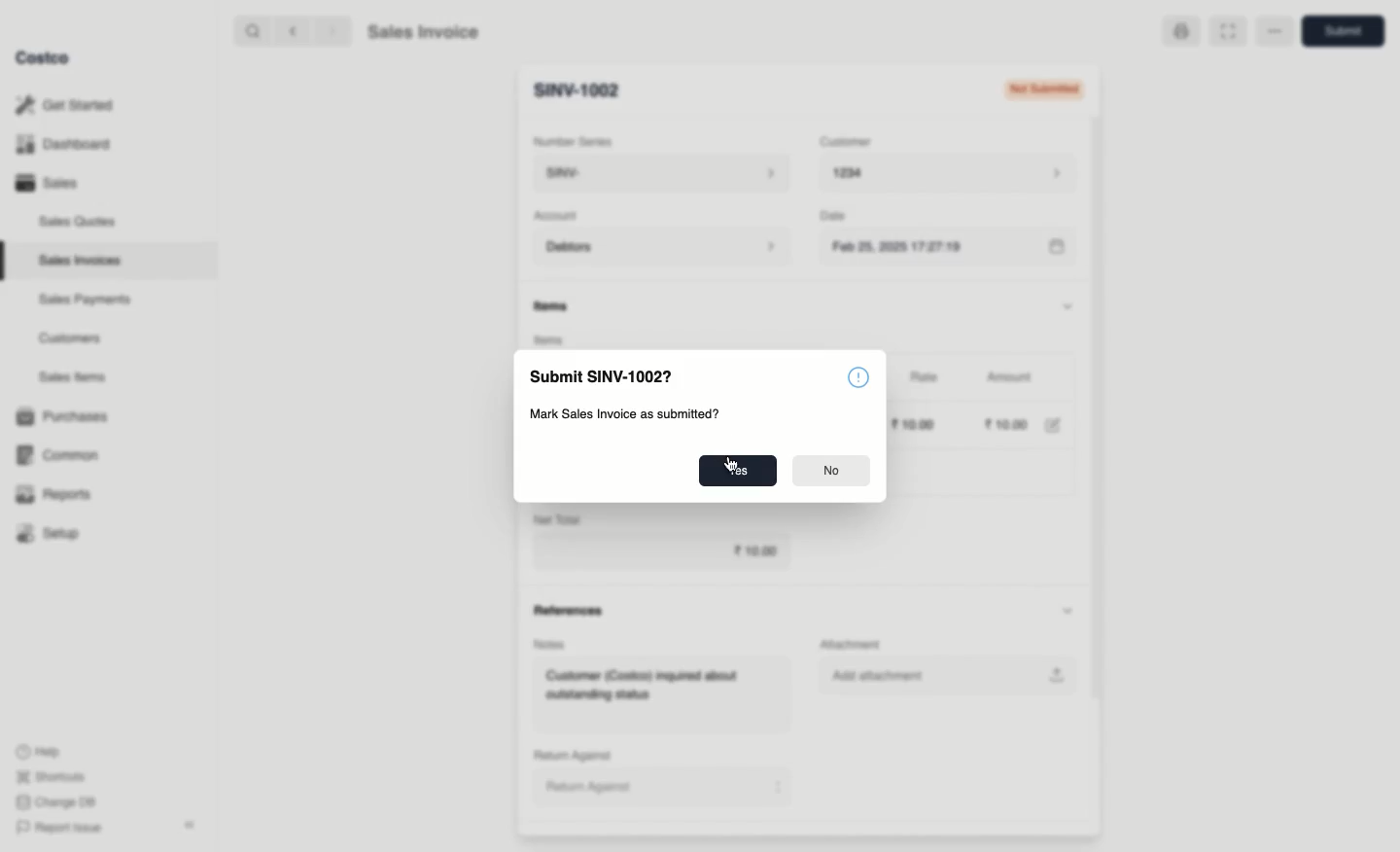 This screenshot has width=1400, height=852. I want to click on Forward, so click(332, 32).